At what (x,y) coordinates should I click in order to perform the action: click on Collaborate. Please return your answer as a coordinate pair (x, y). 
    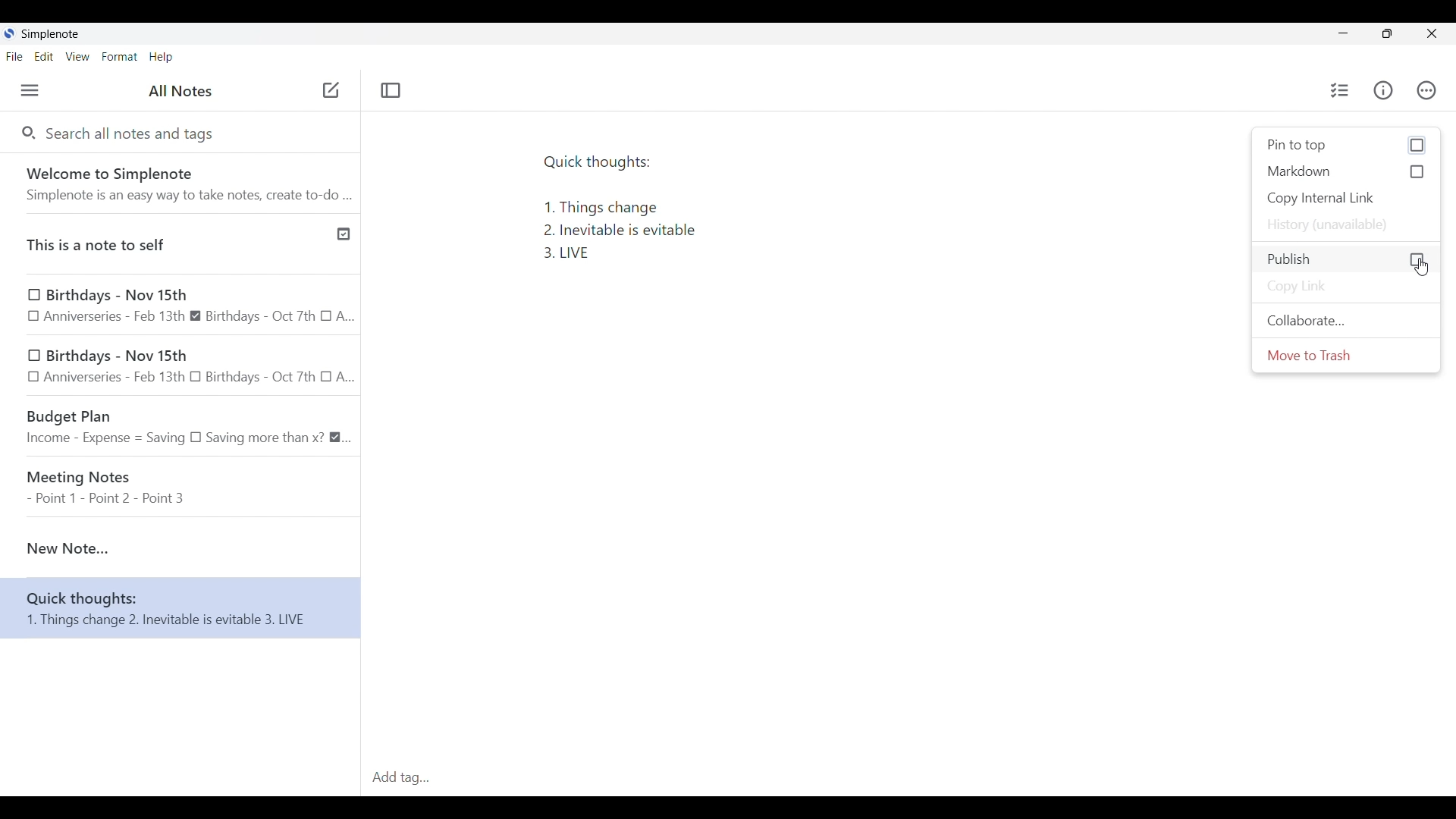
    Looking at the image, I should click on (1346, 321).